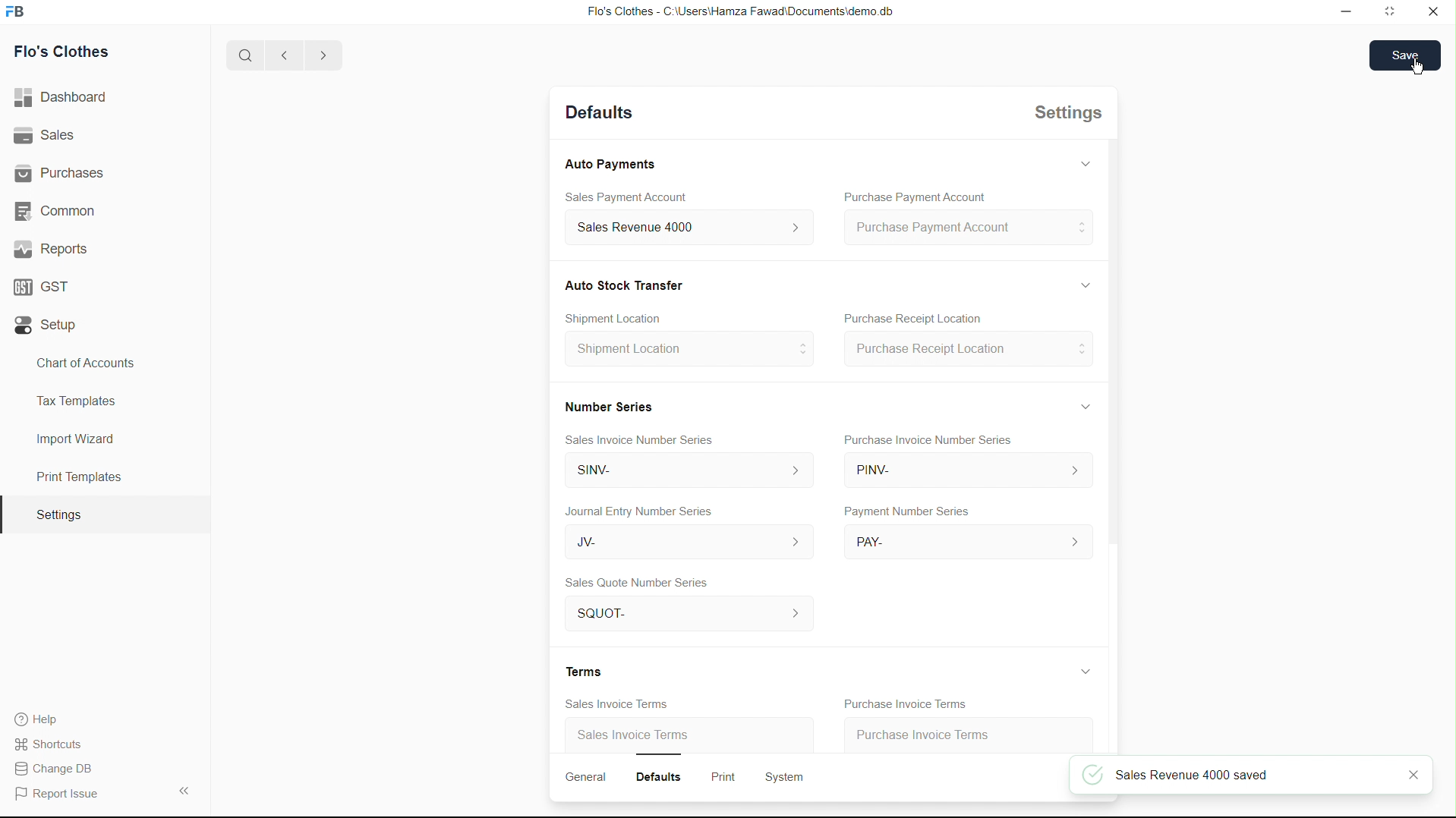  I want to click on Settings, so click(58, 515).